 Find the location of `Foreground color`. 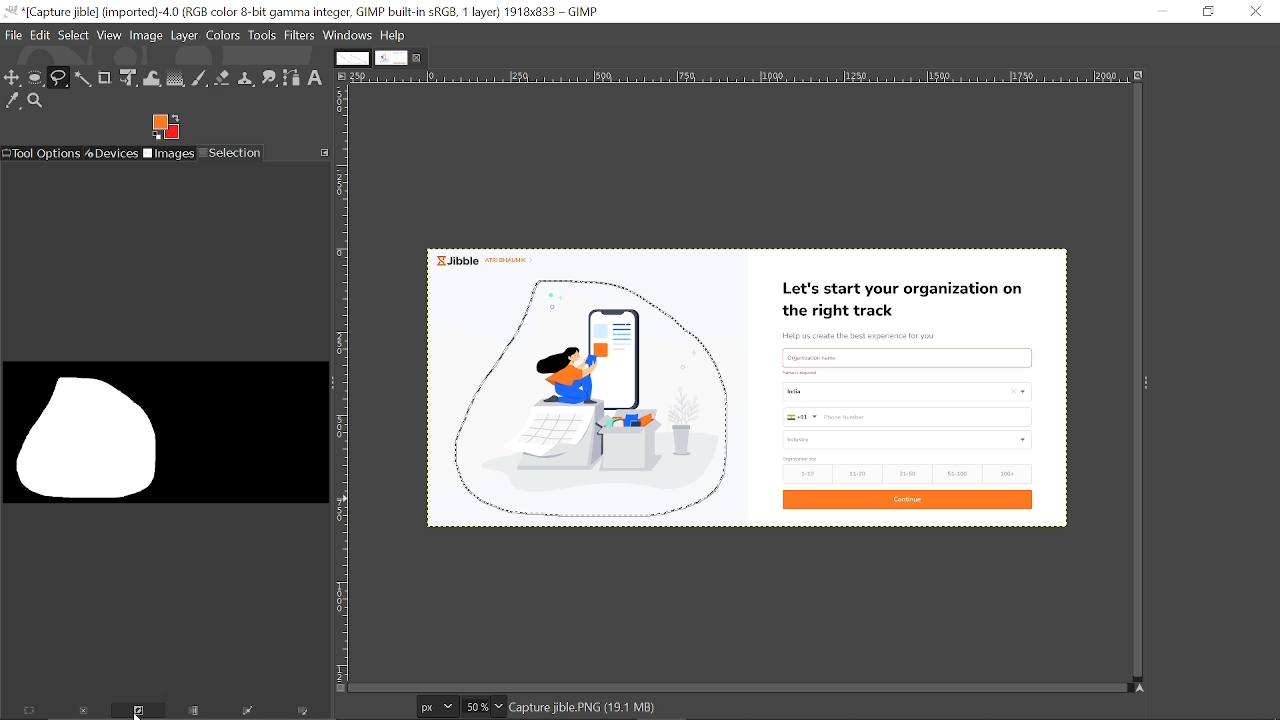

Foreground color is located at coordinates (167, 126).